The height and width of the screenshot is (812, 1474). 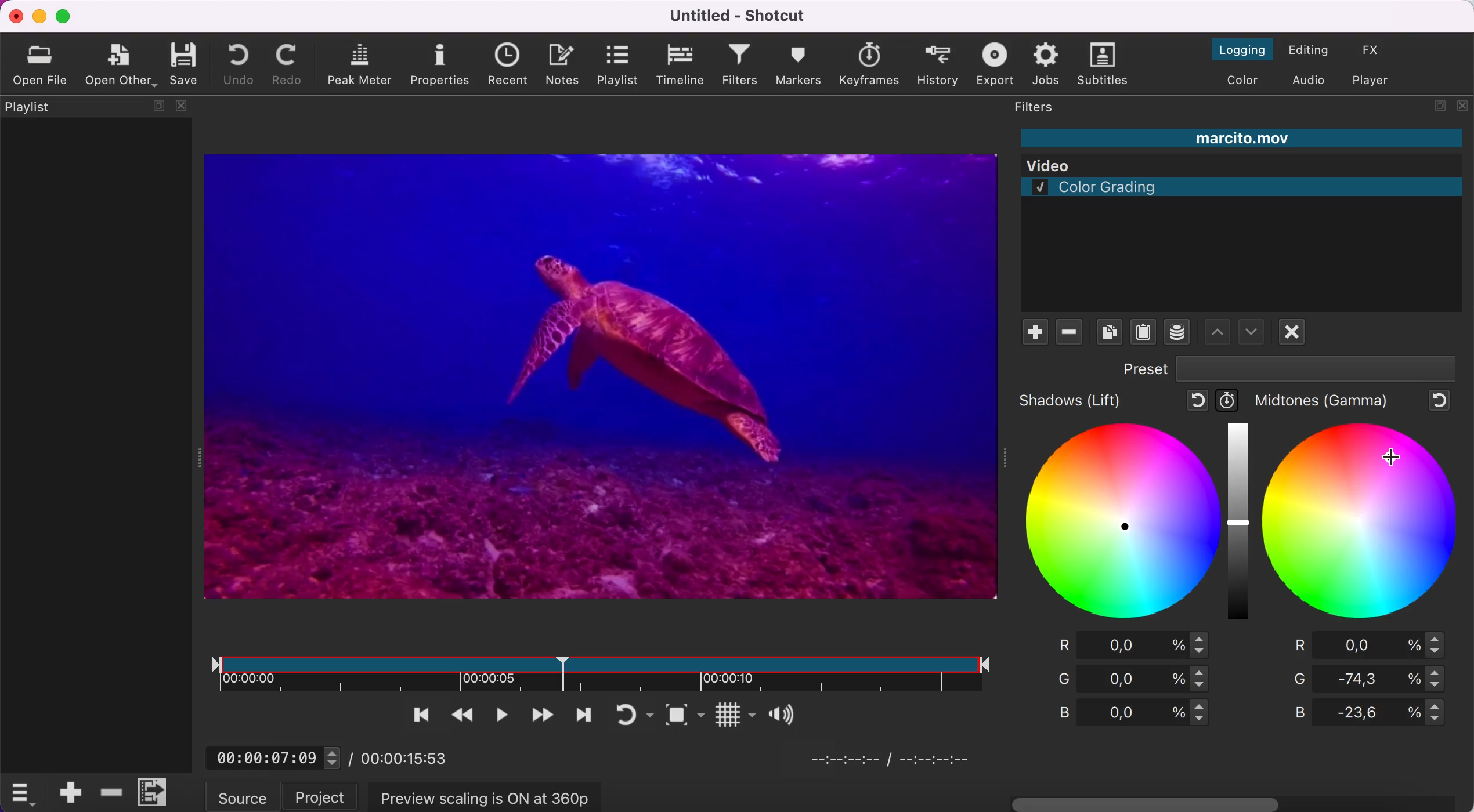 I want to click on timelime options, so click(x=24, y=793).